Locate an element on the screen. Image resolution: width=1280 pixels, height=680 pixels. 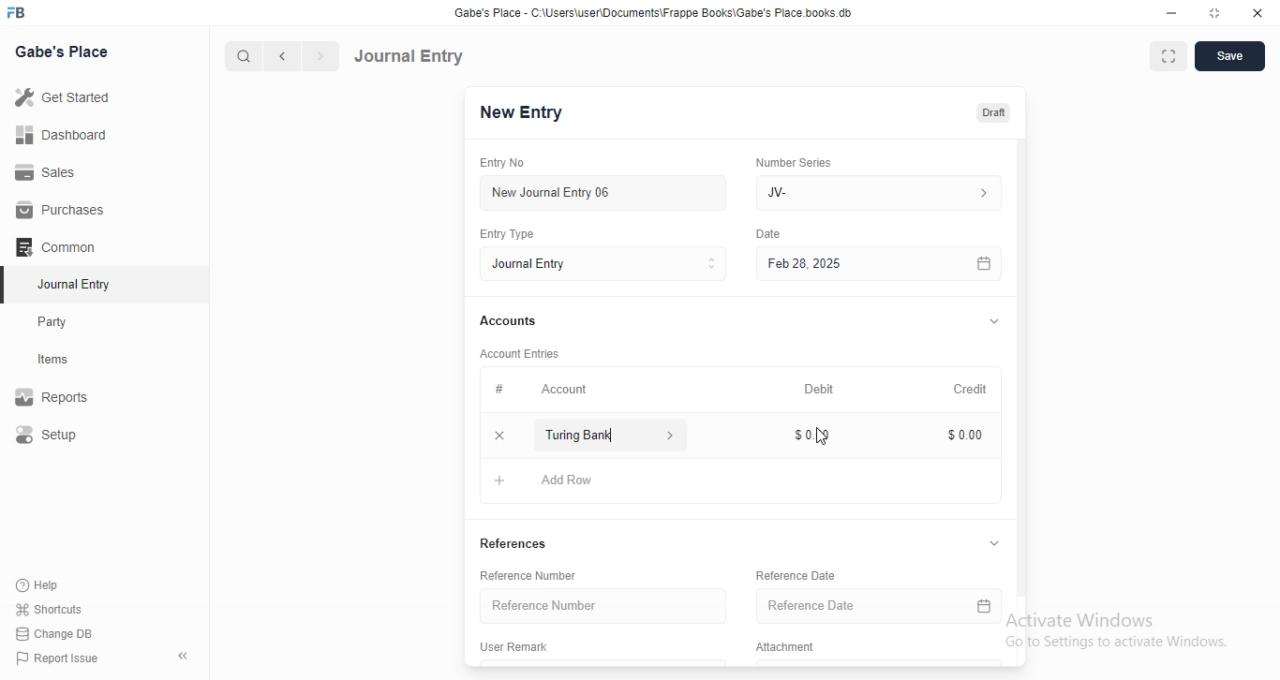
search is located at coordinates (245, 56).